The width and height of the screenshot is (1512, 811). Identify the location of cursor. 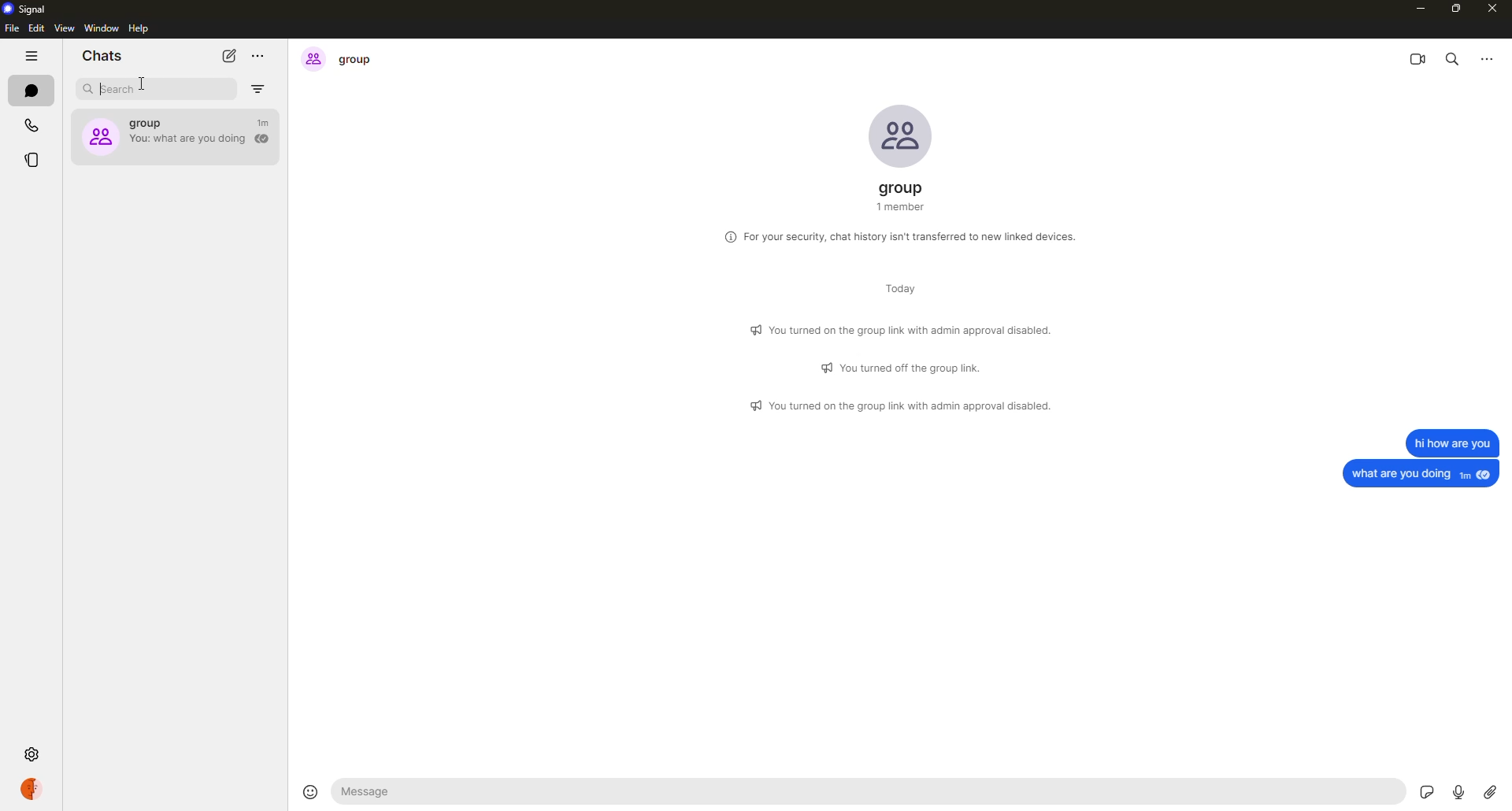
(146, 86).